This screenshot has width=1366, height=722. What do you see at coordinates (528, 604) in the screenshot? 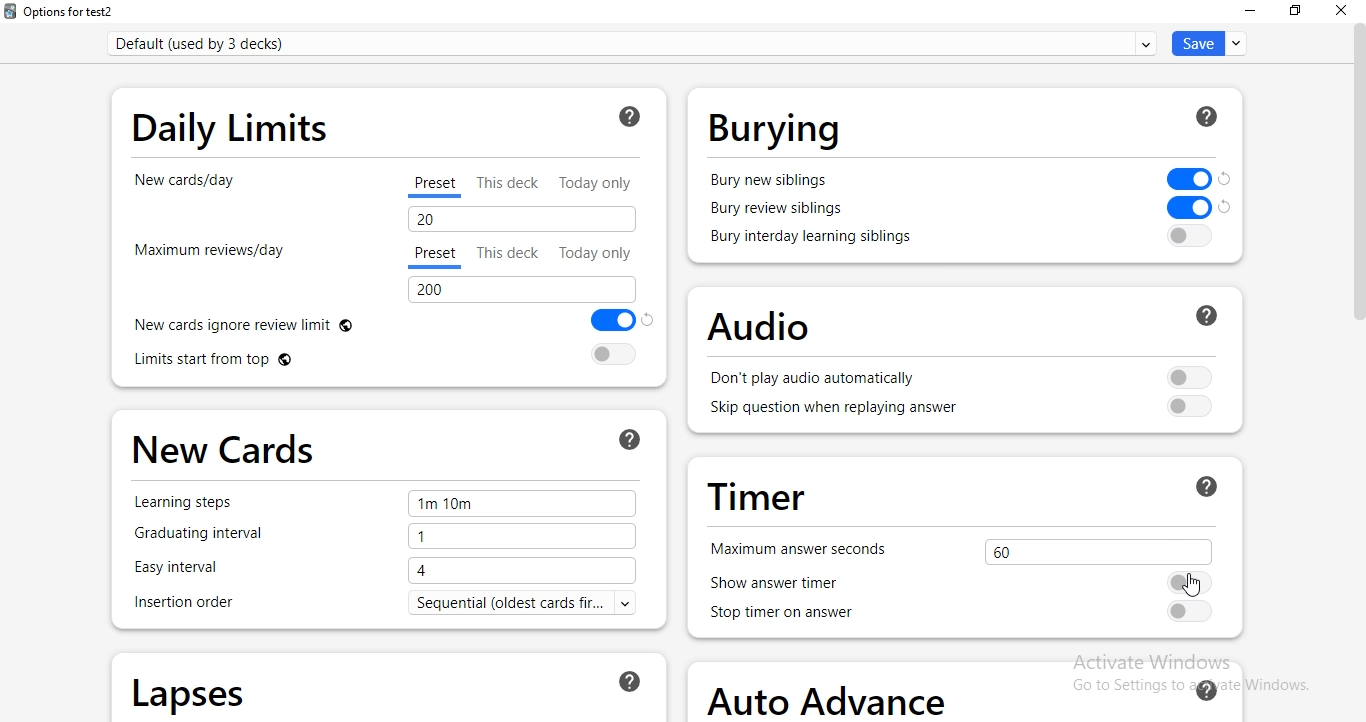
I see `text` at bounding box center [528, 604].